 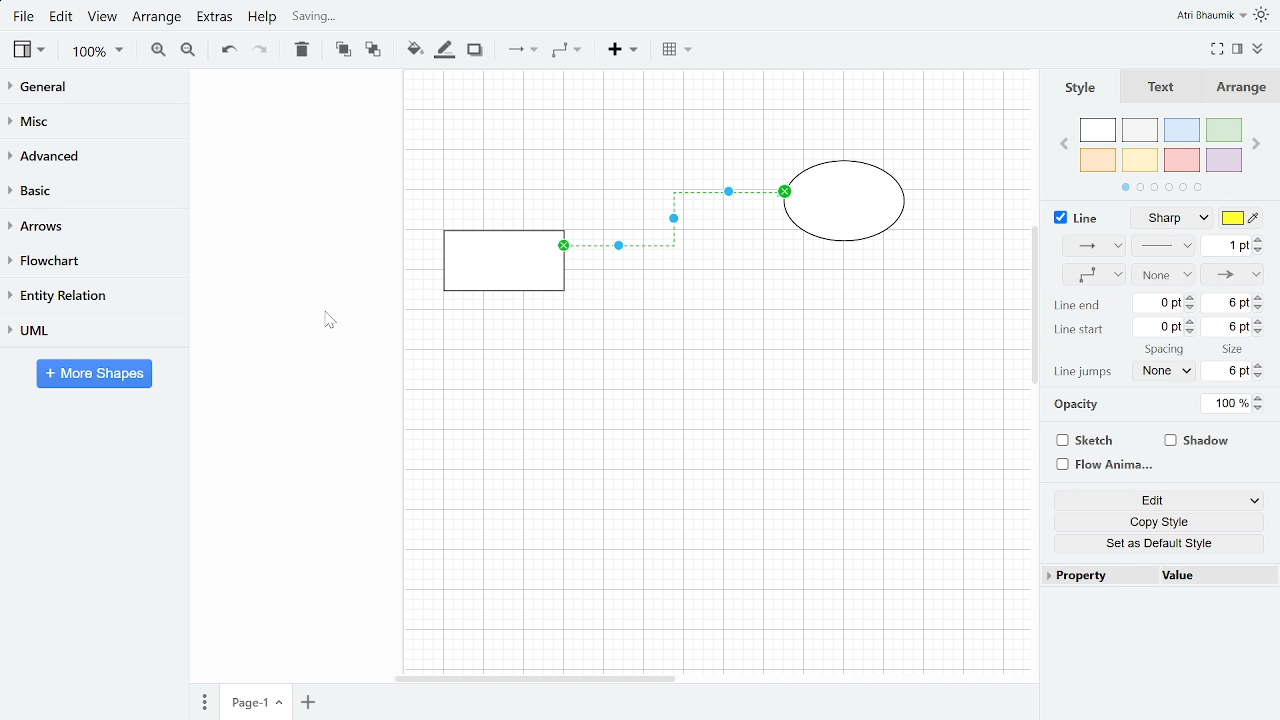 What do you see at coordinates (1212, 15) in the screenshot?
I see `Profile "Atri Bhaumik"` at bounding box center [1212, 15].